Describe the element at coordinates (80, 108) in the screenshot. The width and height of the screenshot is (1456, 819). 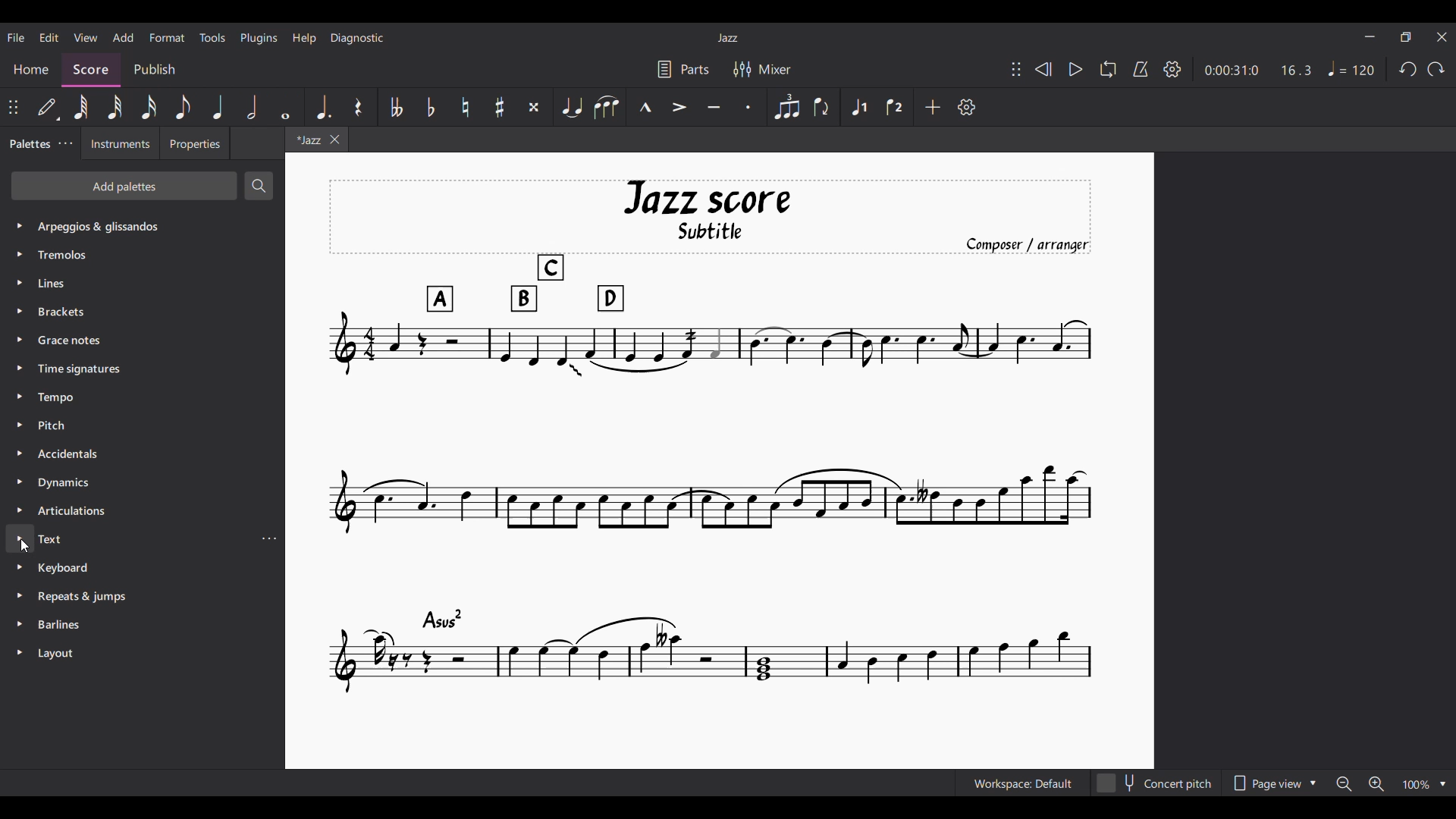
I see `64th note` at that location.